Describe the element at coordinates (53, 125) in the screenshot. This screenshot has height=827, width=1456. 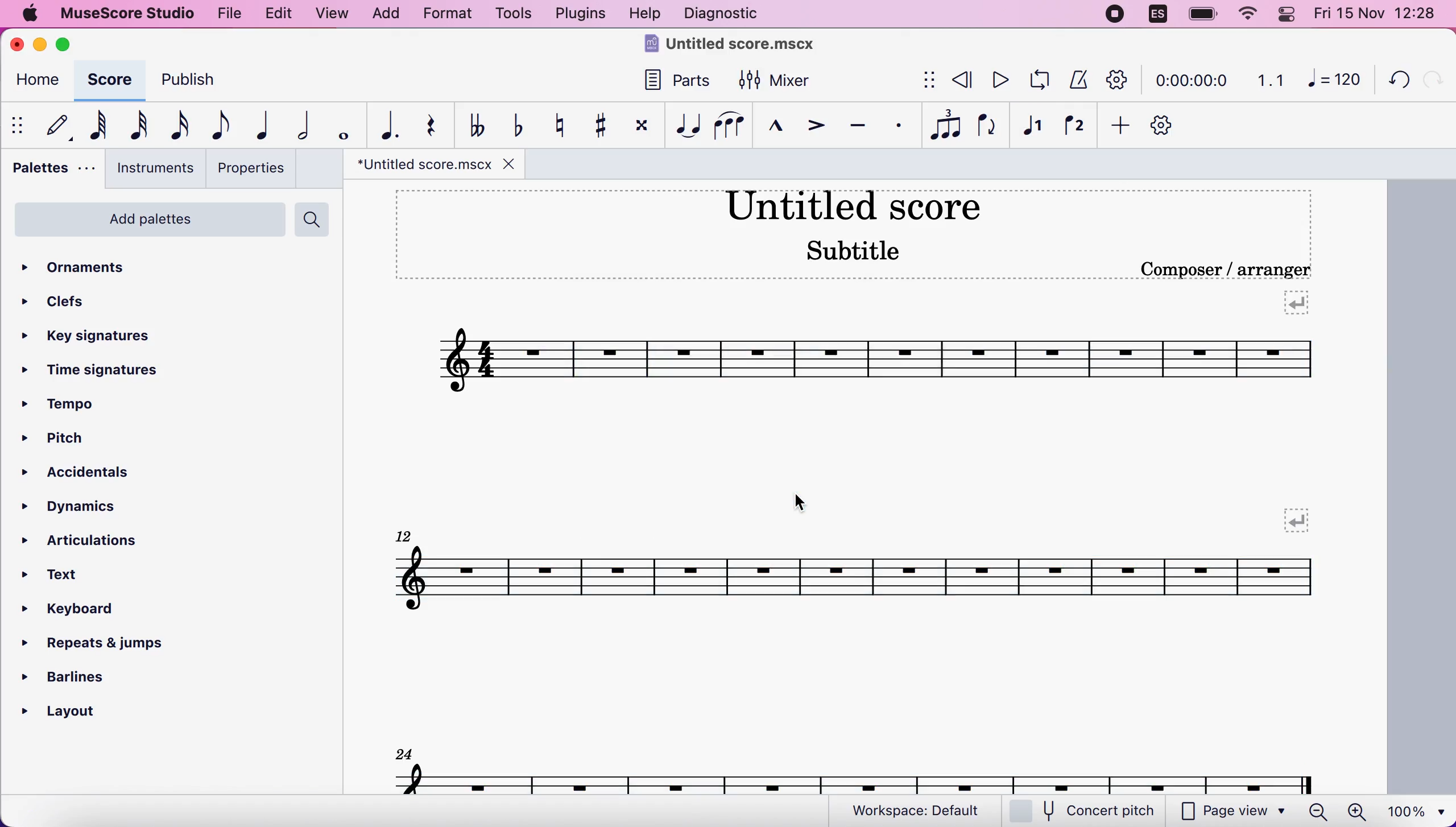
I see `default` at that location.